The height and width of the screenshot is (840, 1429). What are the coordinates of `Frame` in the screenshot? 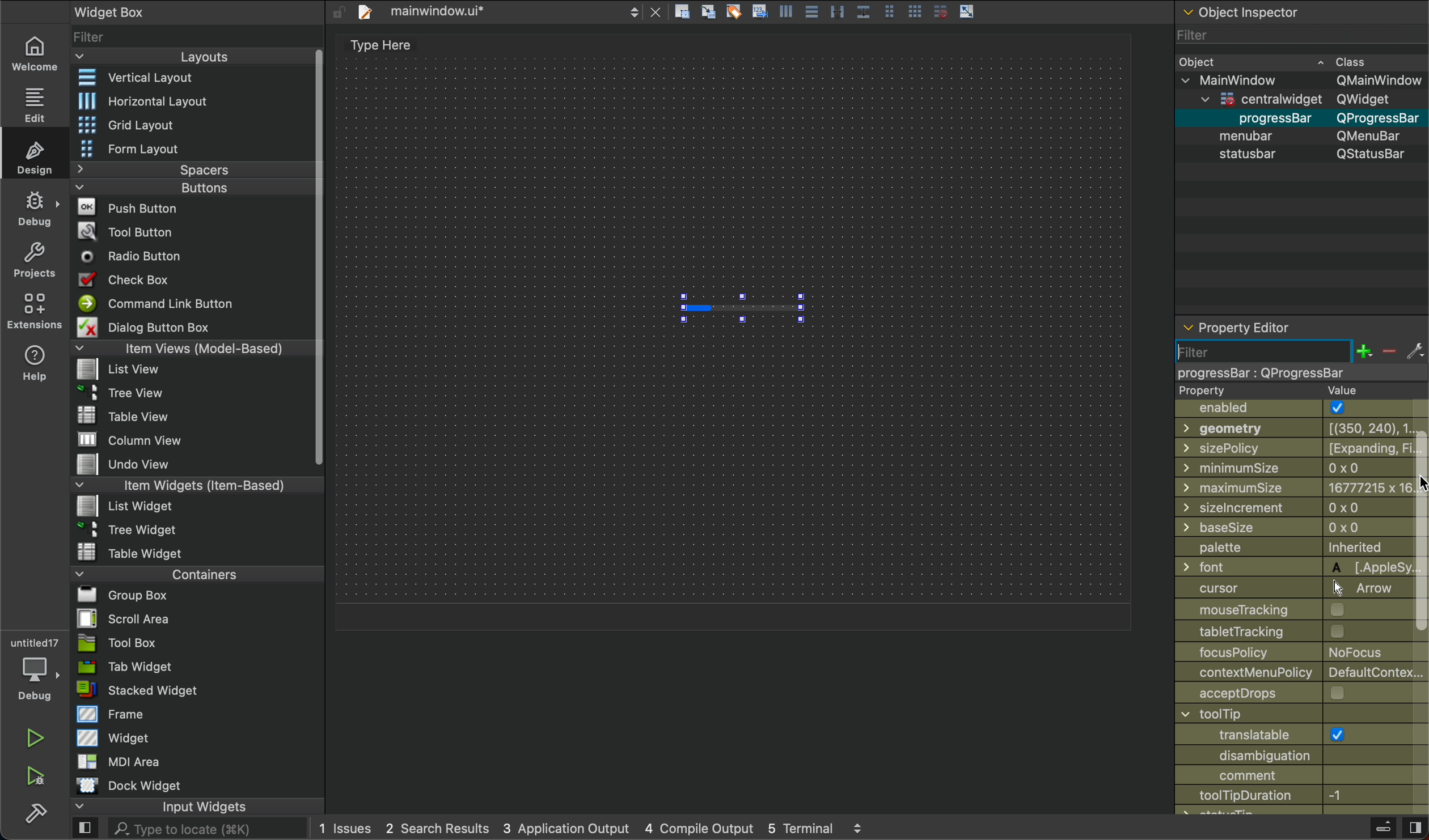 It's located at (112, 714).